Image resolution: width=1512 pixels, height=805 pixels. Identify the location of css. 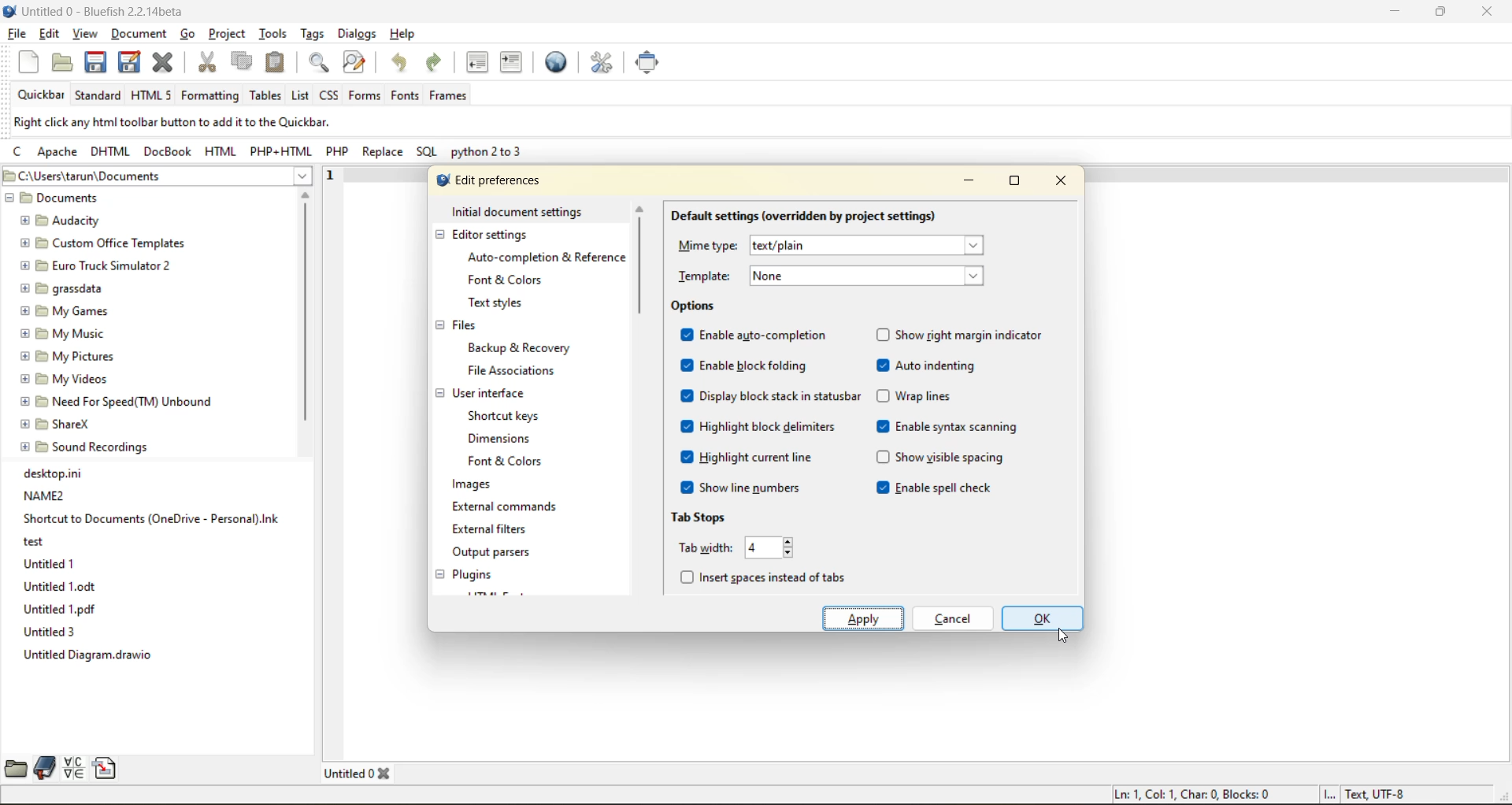
(331, 93).